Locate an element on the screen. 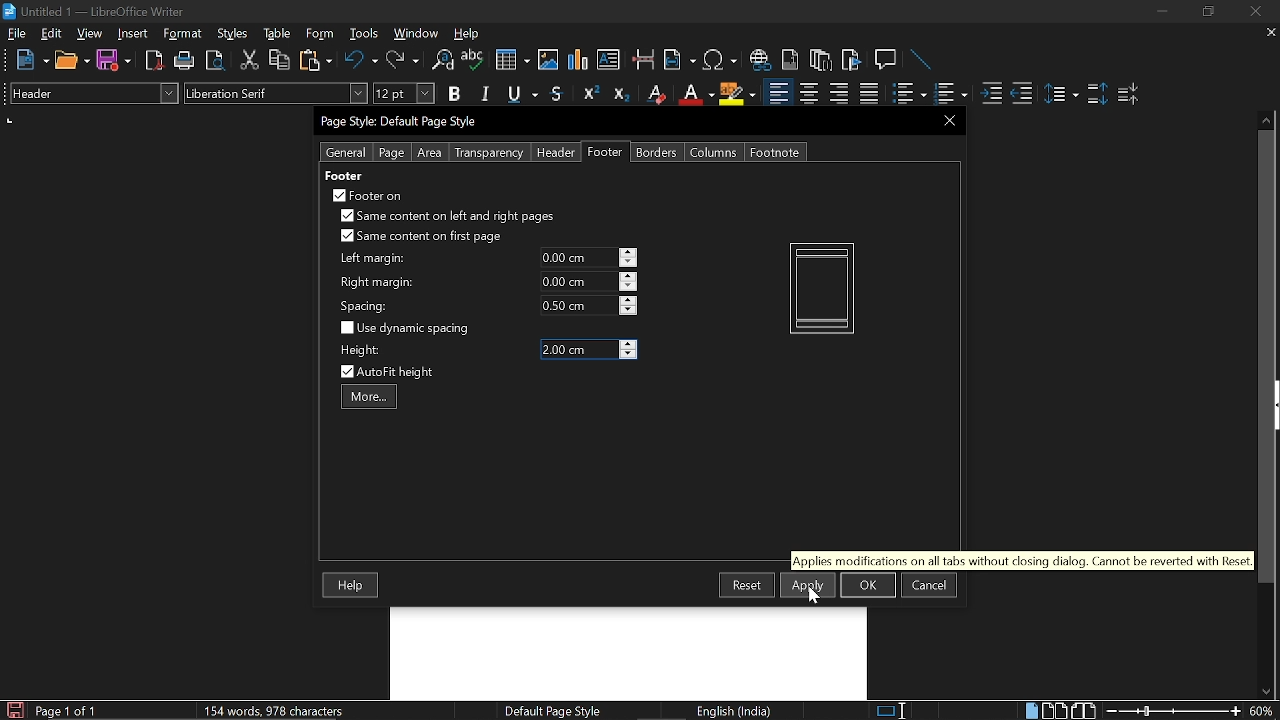 The image size is (1280, 720). right margin is located at coordinates (377, 283).